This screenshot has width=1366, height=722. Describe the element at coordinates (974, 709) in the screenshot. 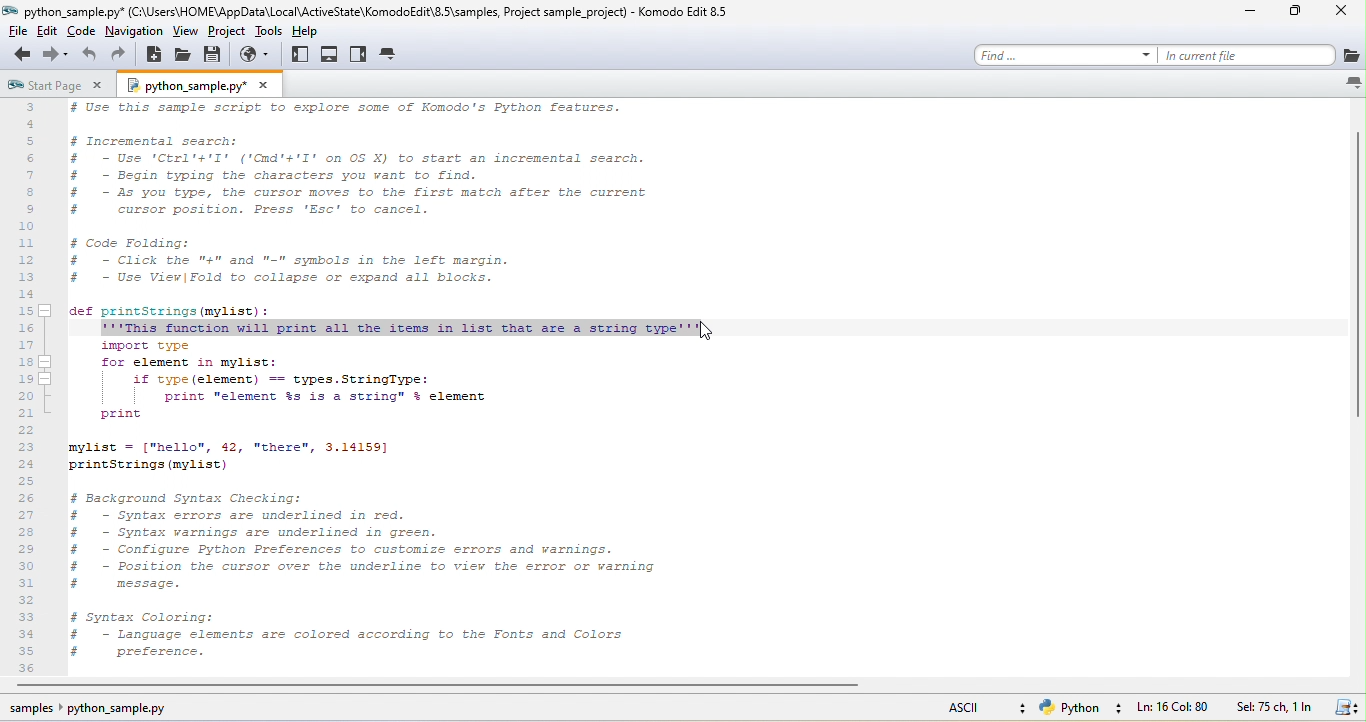

I see `ascii` at that location.